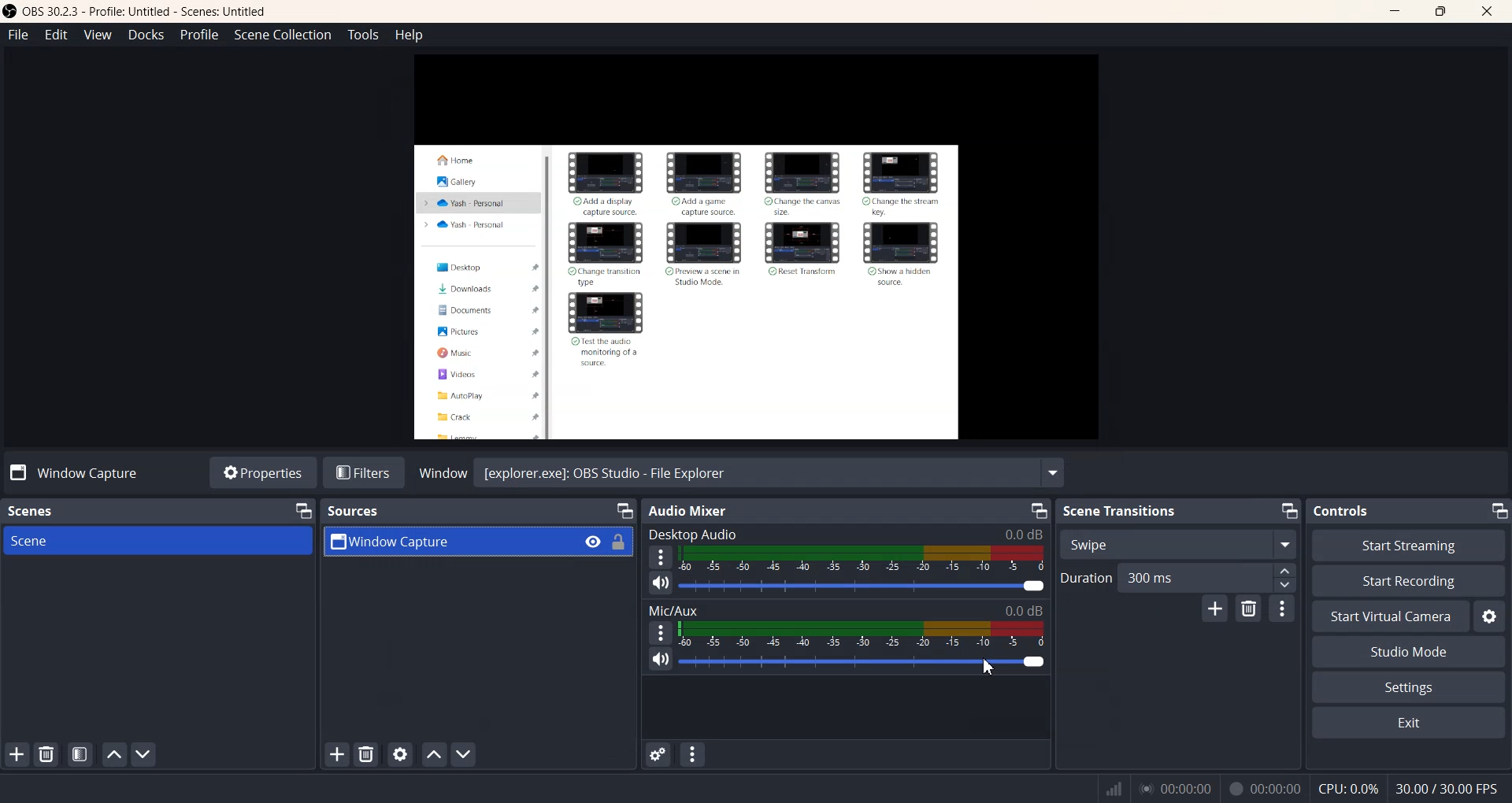  Describe the element at coordinates (1488, 616) in the screenshot. I see `Settings` at that location.